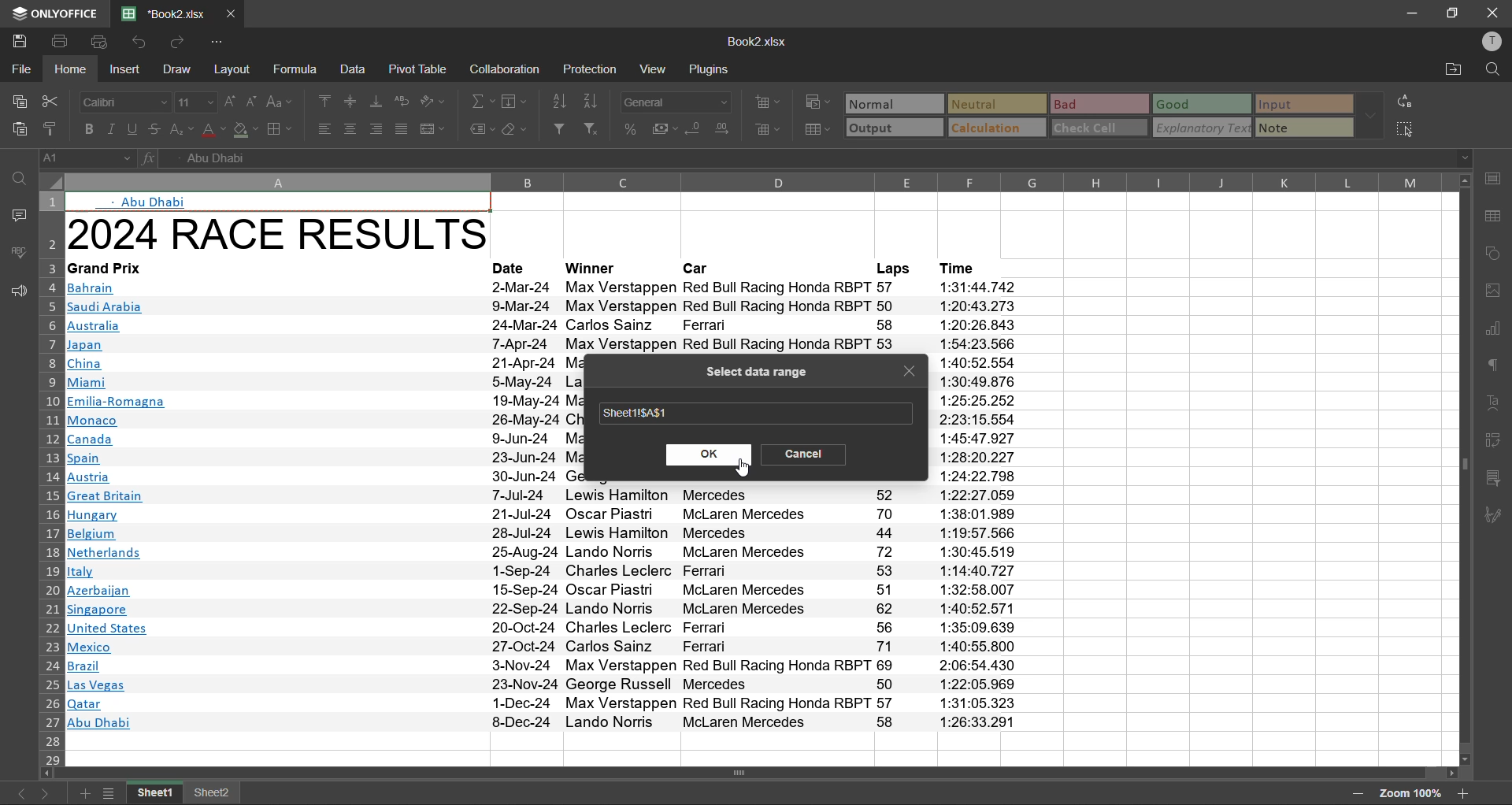  What do you see at coordinates (1495, 254) in the screenshot?
I see `shapes` at bounding box center [1495, 254].